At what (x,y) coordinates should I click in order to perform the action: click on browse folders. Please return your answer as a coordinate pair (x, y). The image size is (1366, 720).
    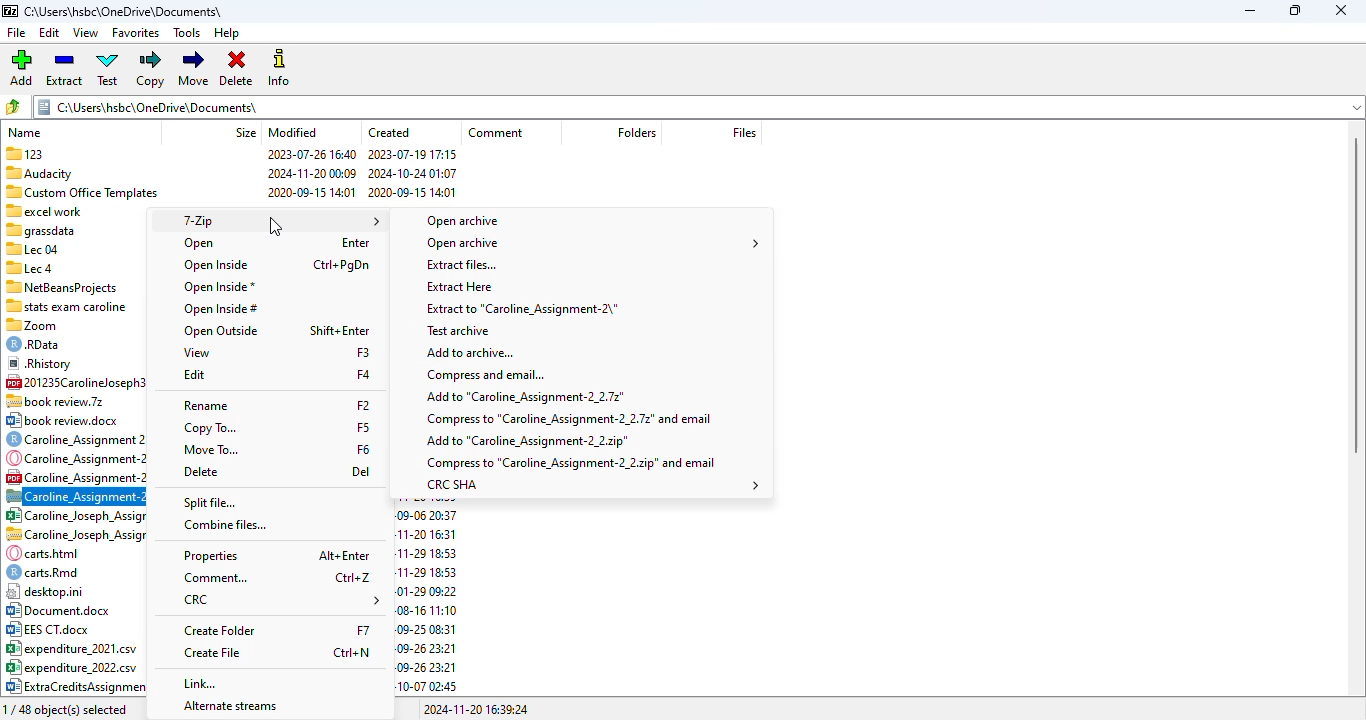
    Looking at the image, I should click on (13, 107).